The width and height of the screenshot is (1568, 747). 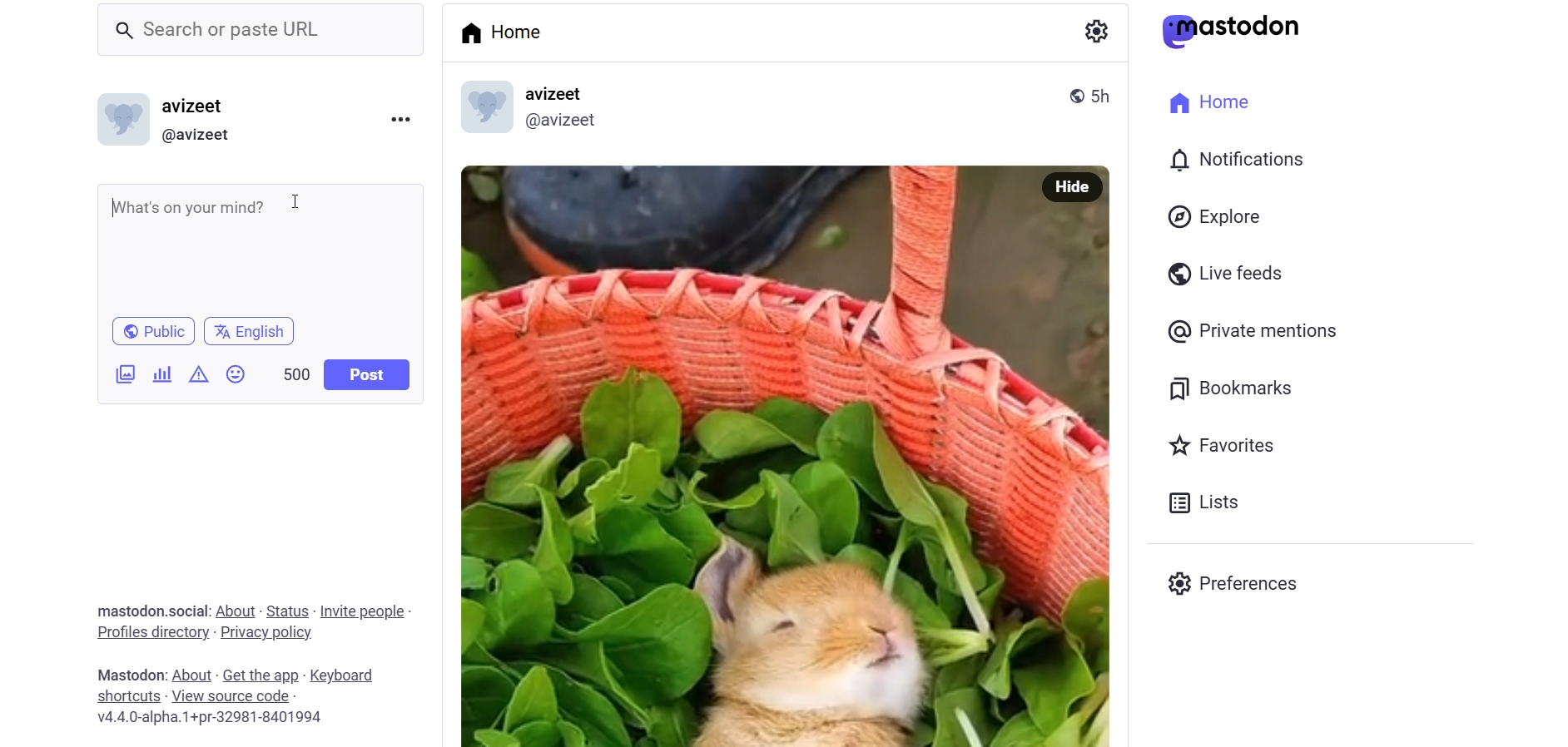 What do you see at coordinates (200, 106) in the screenshot?
I see `nme` at bounding box center [200, 106].